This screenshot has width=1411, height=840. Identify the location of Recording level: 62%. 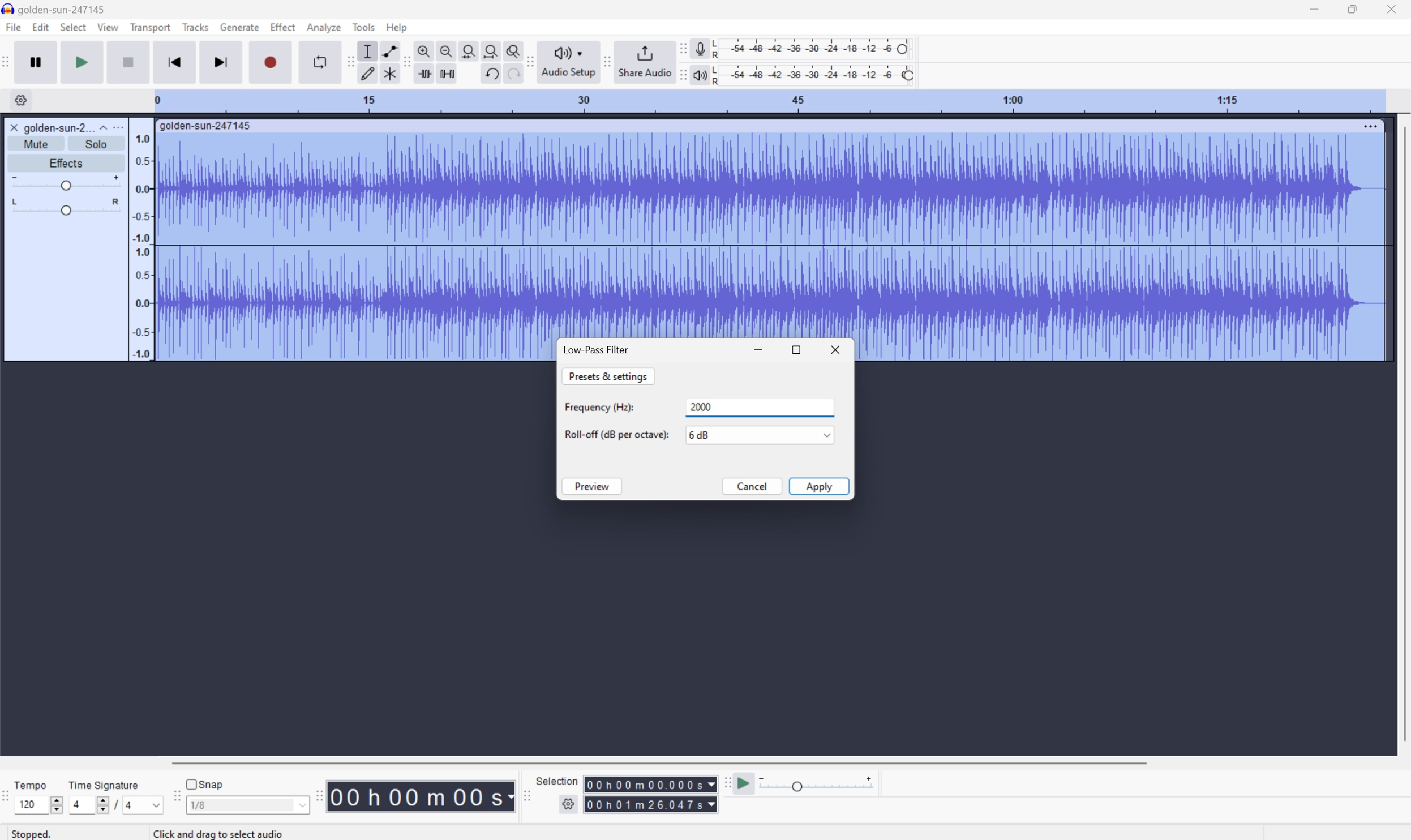
(813, 49).